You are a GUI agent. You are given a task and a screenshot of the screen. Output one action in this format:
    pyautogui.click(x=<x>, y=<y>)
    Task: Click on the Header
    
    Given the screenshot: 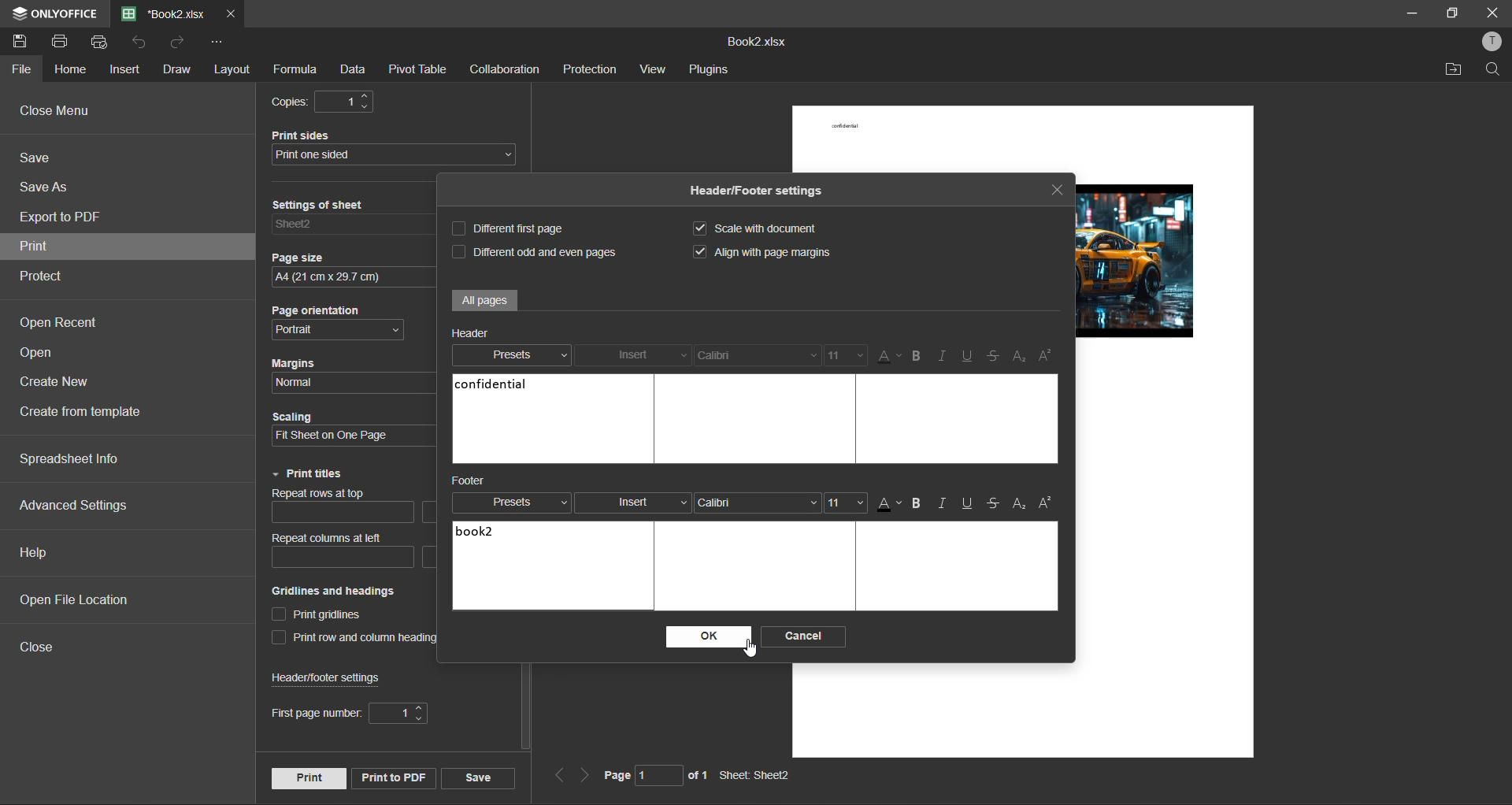 What is the action you would take?
    pyautogui.click(x=475, y=335)
    